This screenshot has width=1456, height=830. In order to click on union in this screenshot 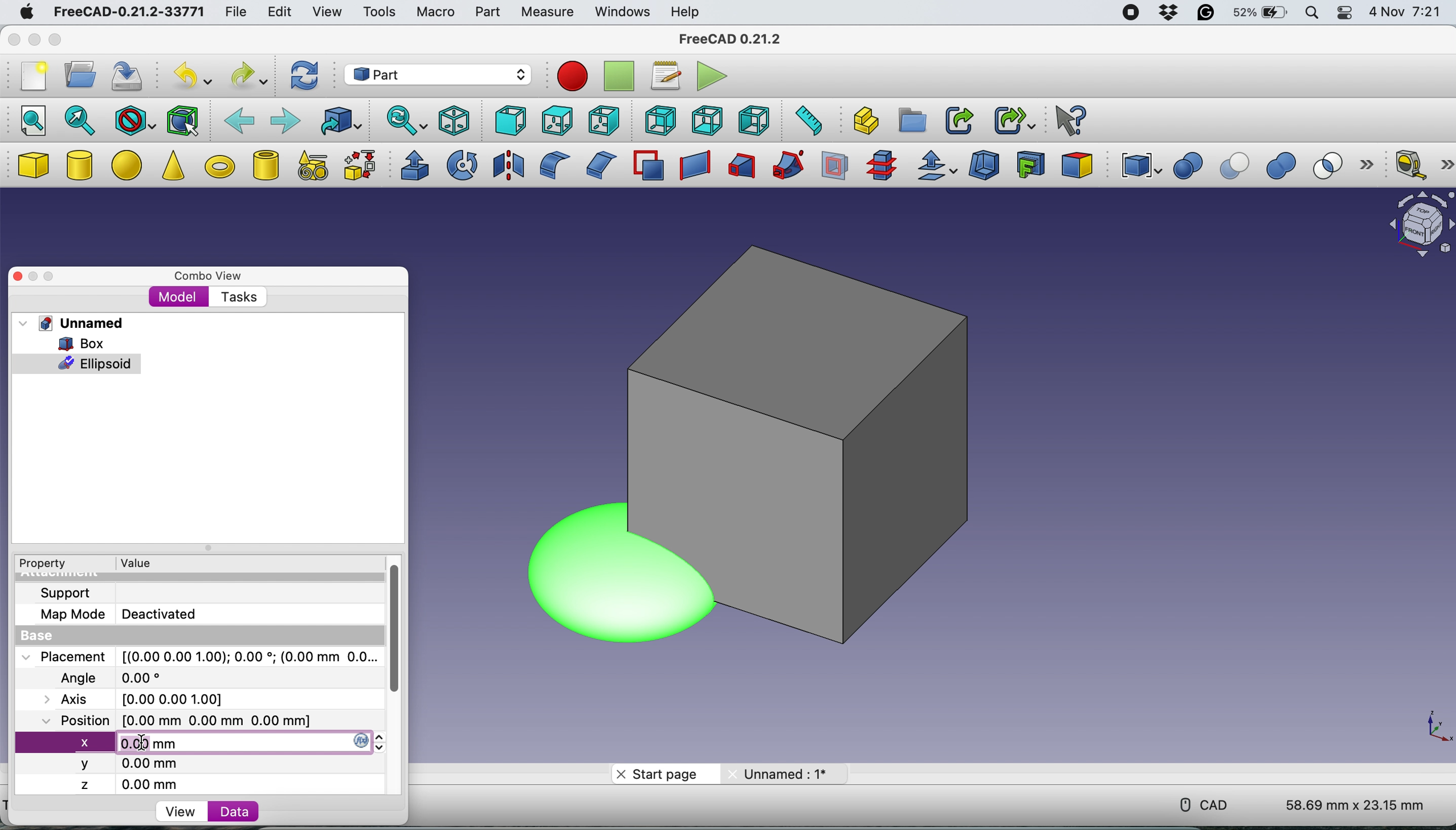, I will do `click(1286, 166)`.